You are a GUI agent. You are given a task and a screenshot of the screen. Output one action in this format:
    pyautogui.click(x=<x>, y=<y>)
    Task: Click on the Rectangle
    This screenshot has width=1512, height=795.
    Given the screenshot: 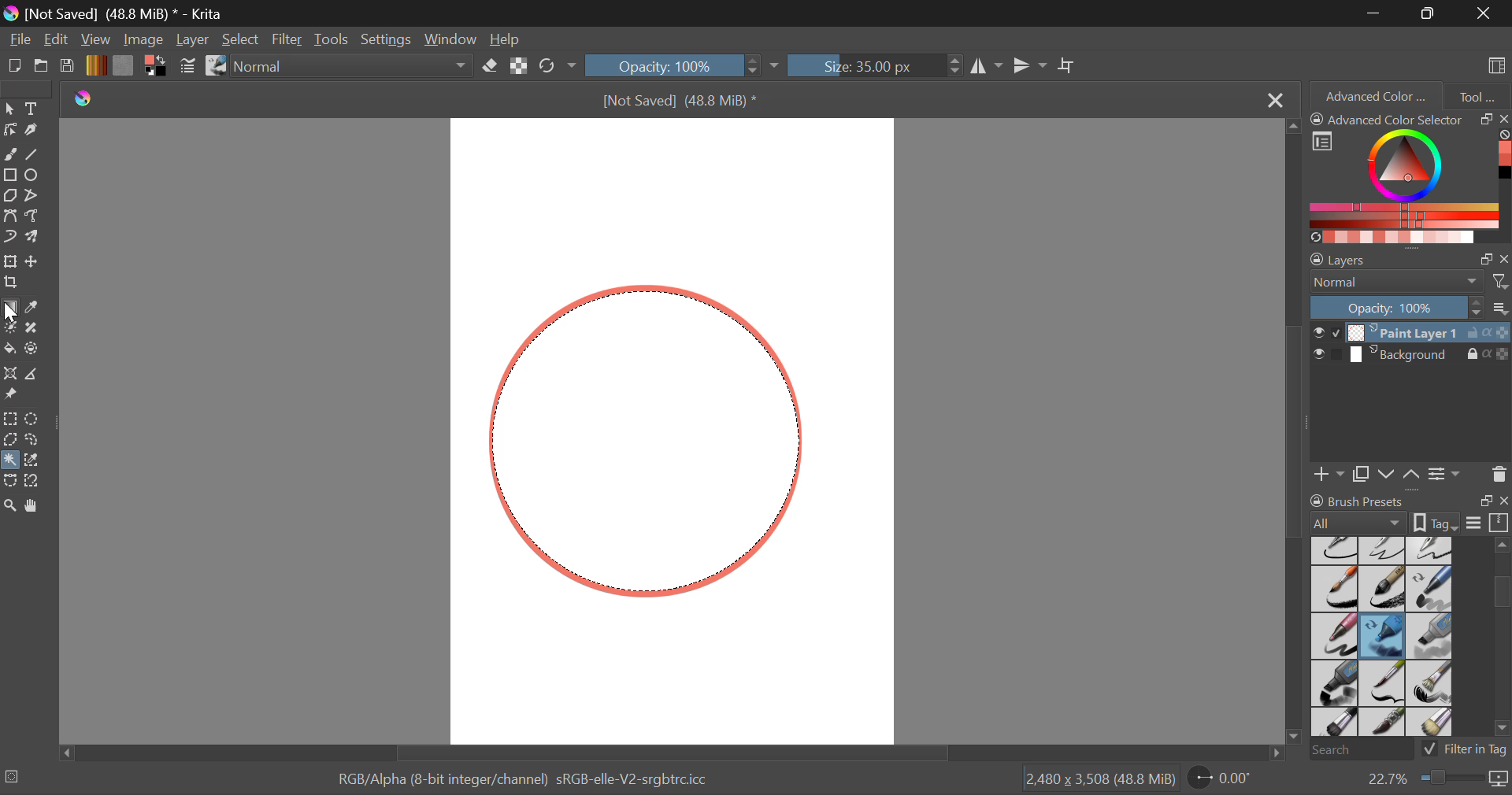 What is the action you would take?
    pyautogui.click(x=9, y=176)
    